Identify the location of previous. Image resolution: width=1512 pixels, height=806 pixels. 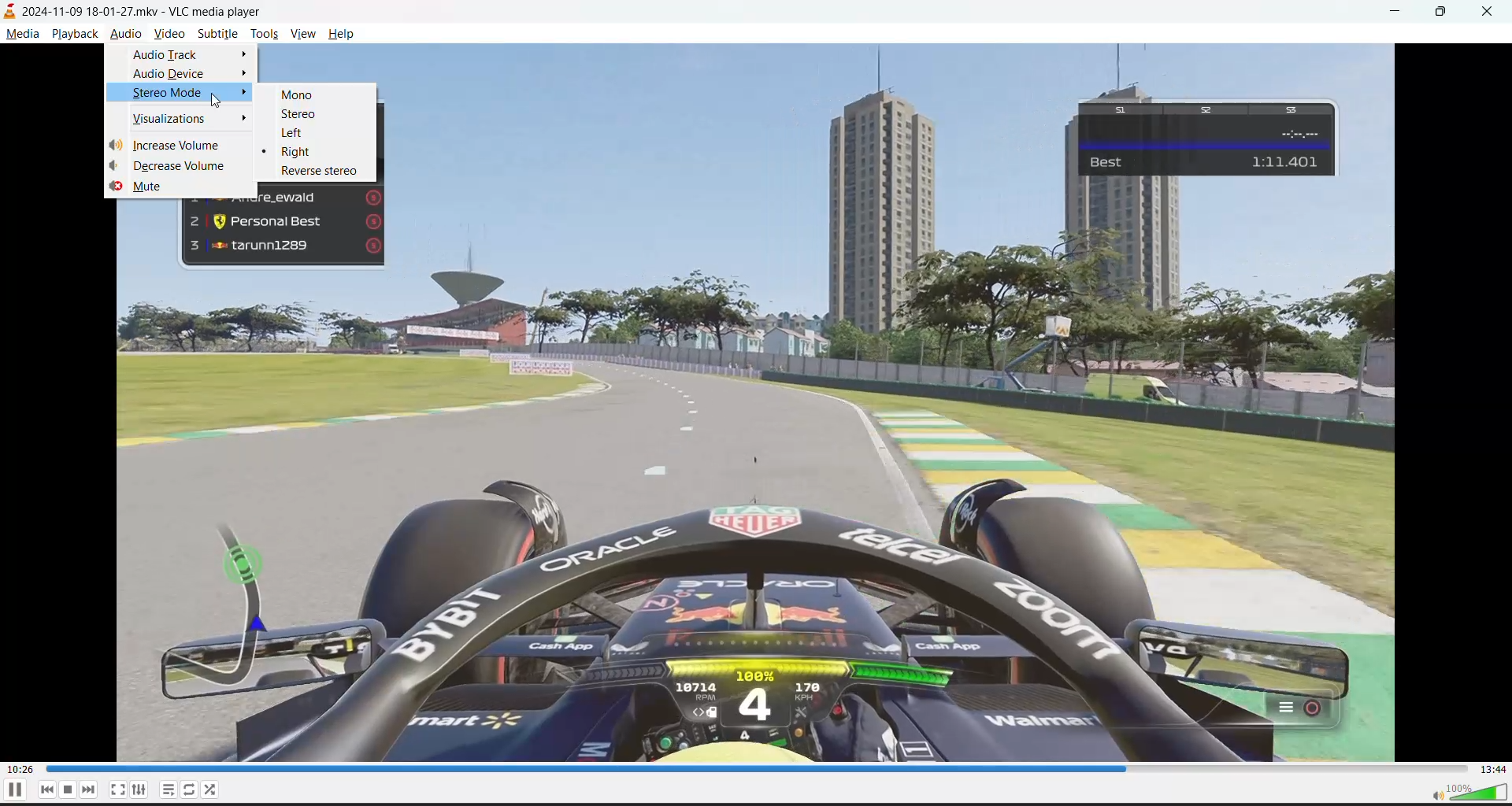
(43, 790).